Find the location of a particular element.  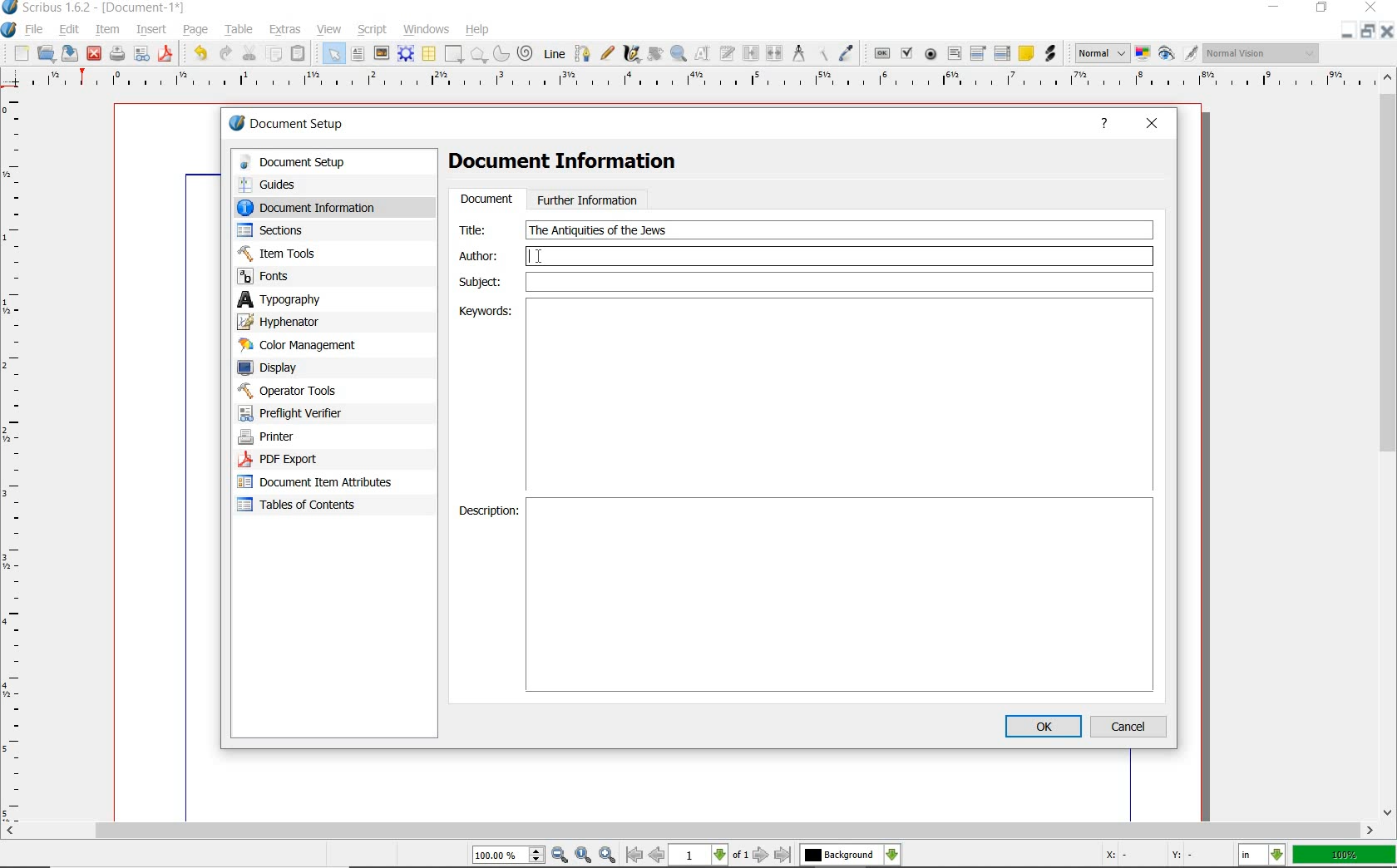

text is located at coordinates (598, 230).